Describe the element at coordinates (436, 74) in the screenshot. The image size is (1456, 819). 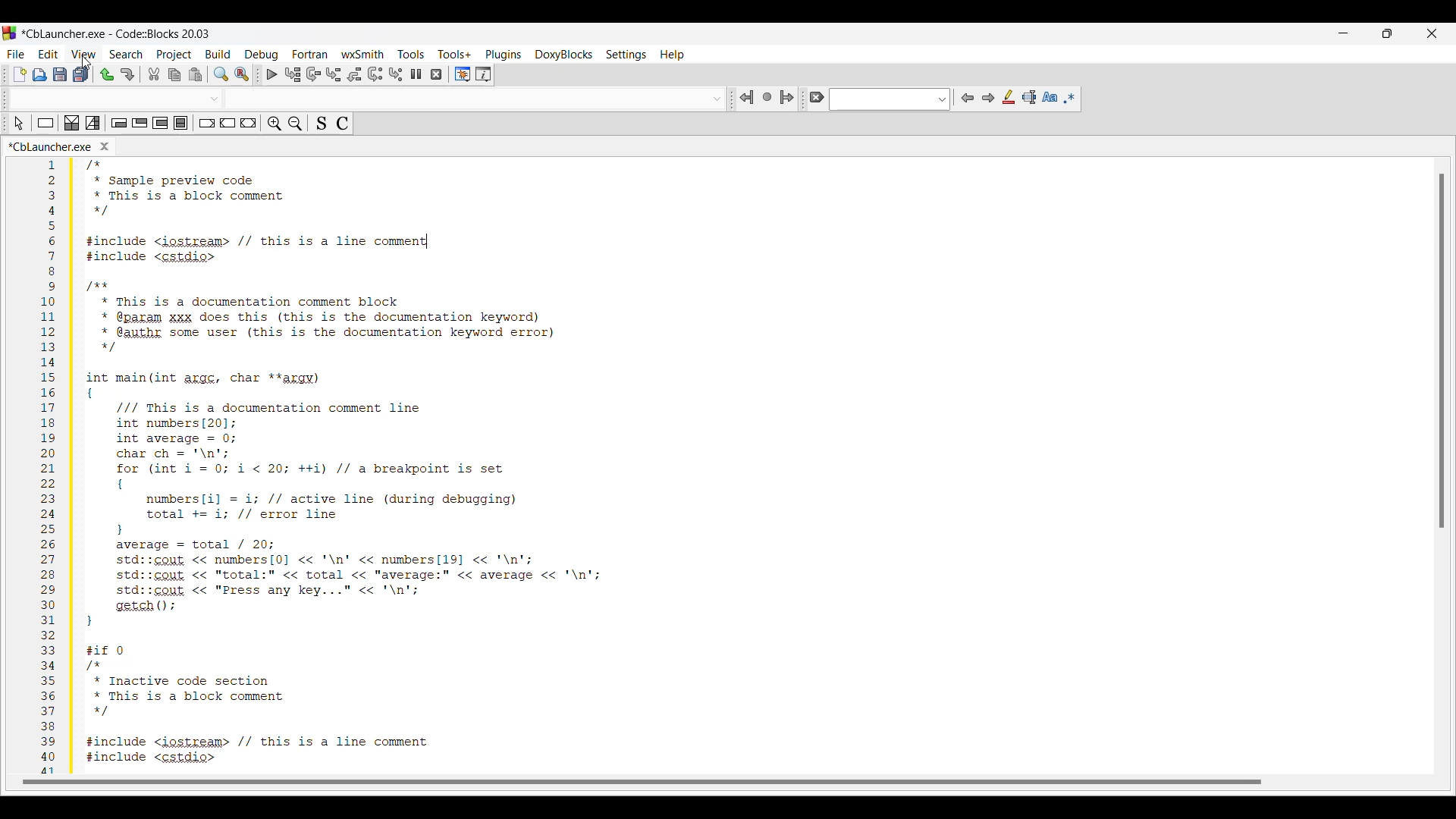
I see `Stop debugger` at that location.